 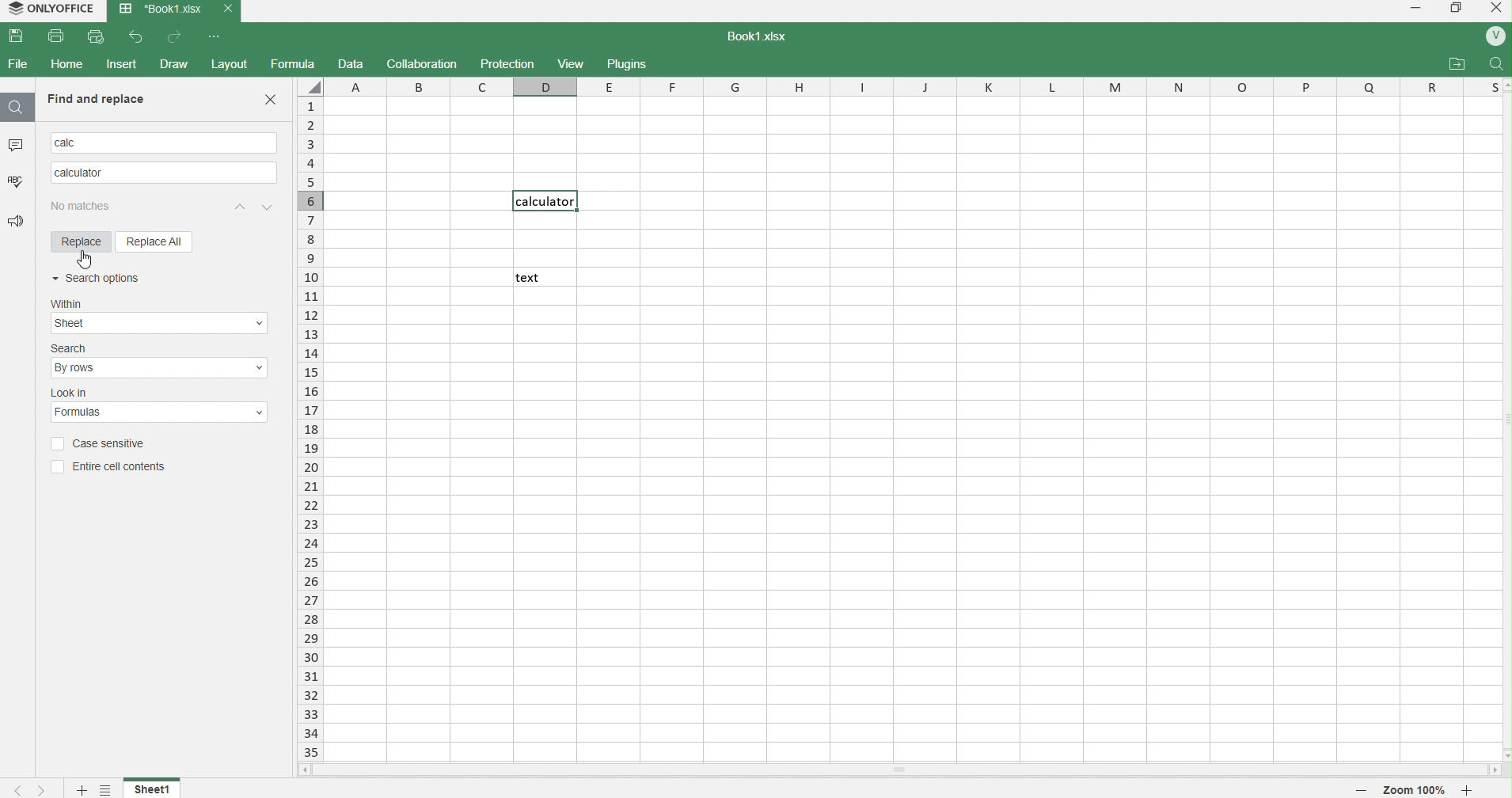 What do you see at coordinates (141, 503) in the screenshot?
I see `Cell` at bounding box center [141, 503].